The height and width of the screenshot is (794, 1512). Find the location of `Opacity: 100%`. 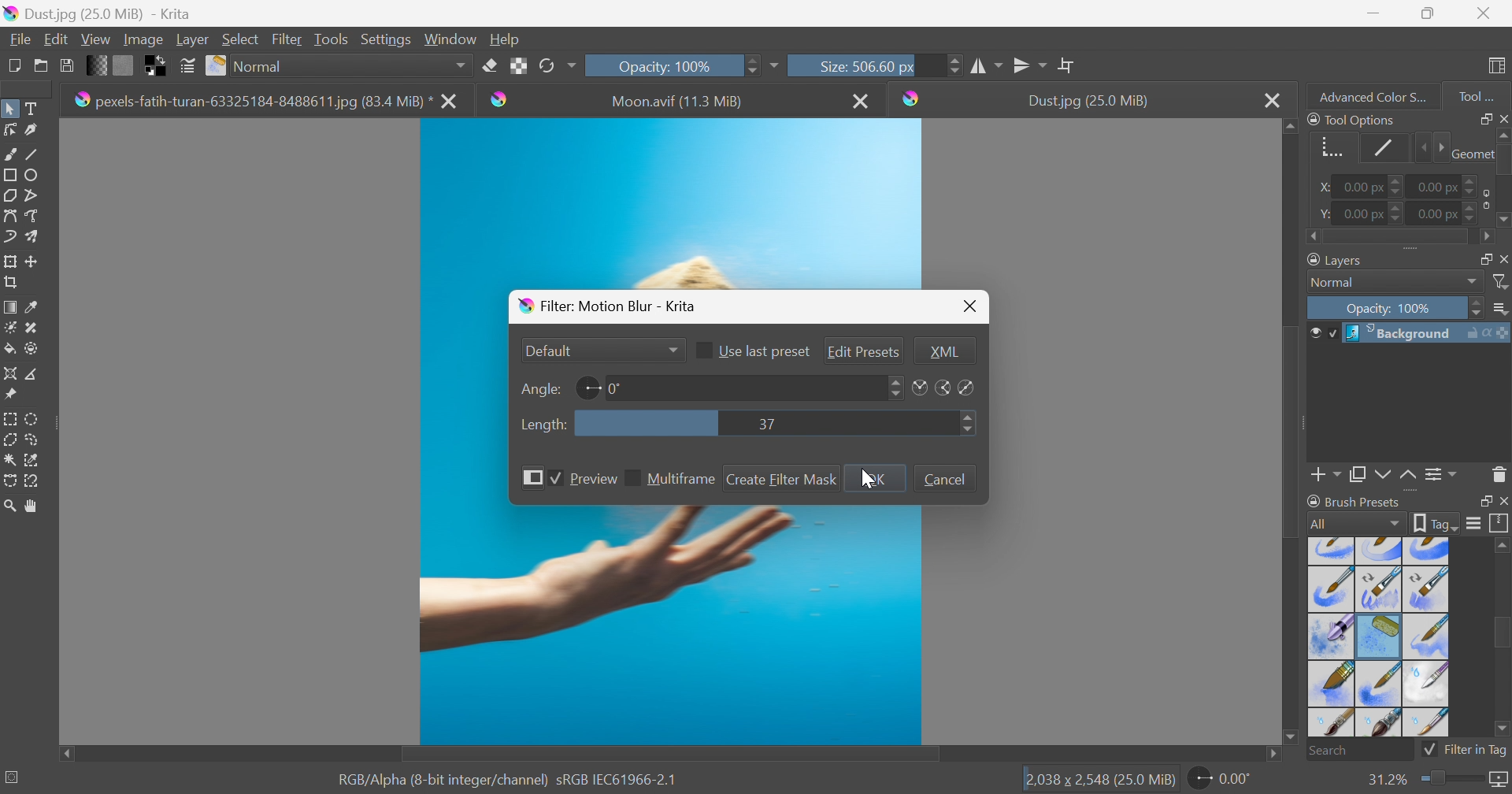

Opacity: 100% is located at coordinates (1392, 310).